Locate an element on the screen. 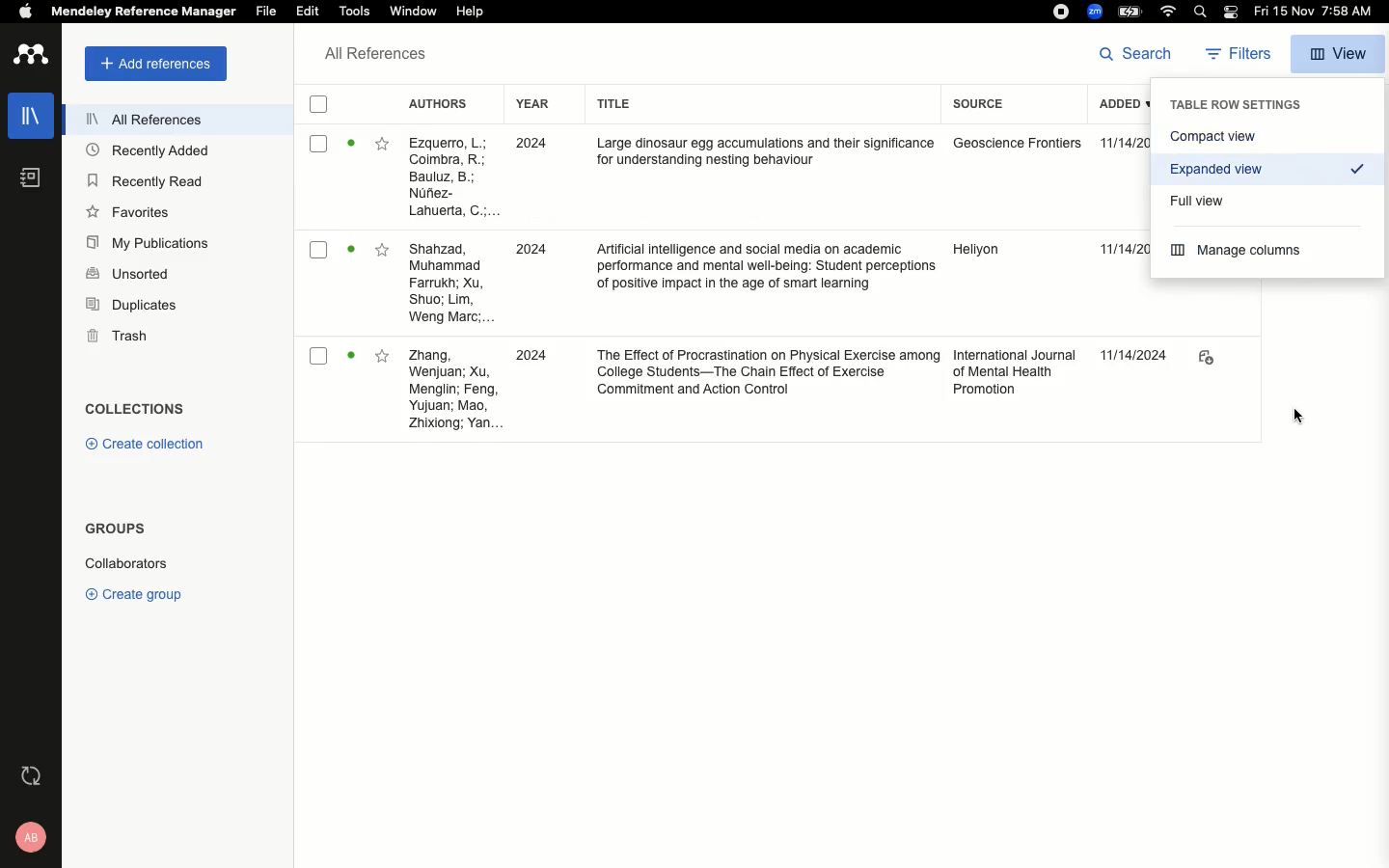  Last sync is located at coordinates (29, 776).